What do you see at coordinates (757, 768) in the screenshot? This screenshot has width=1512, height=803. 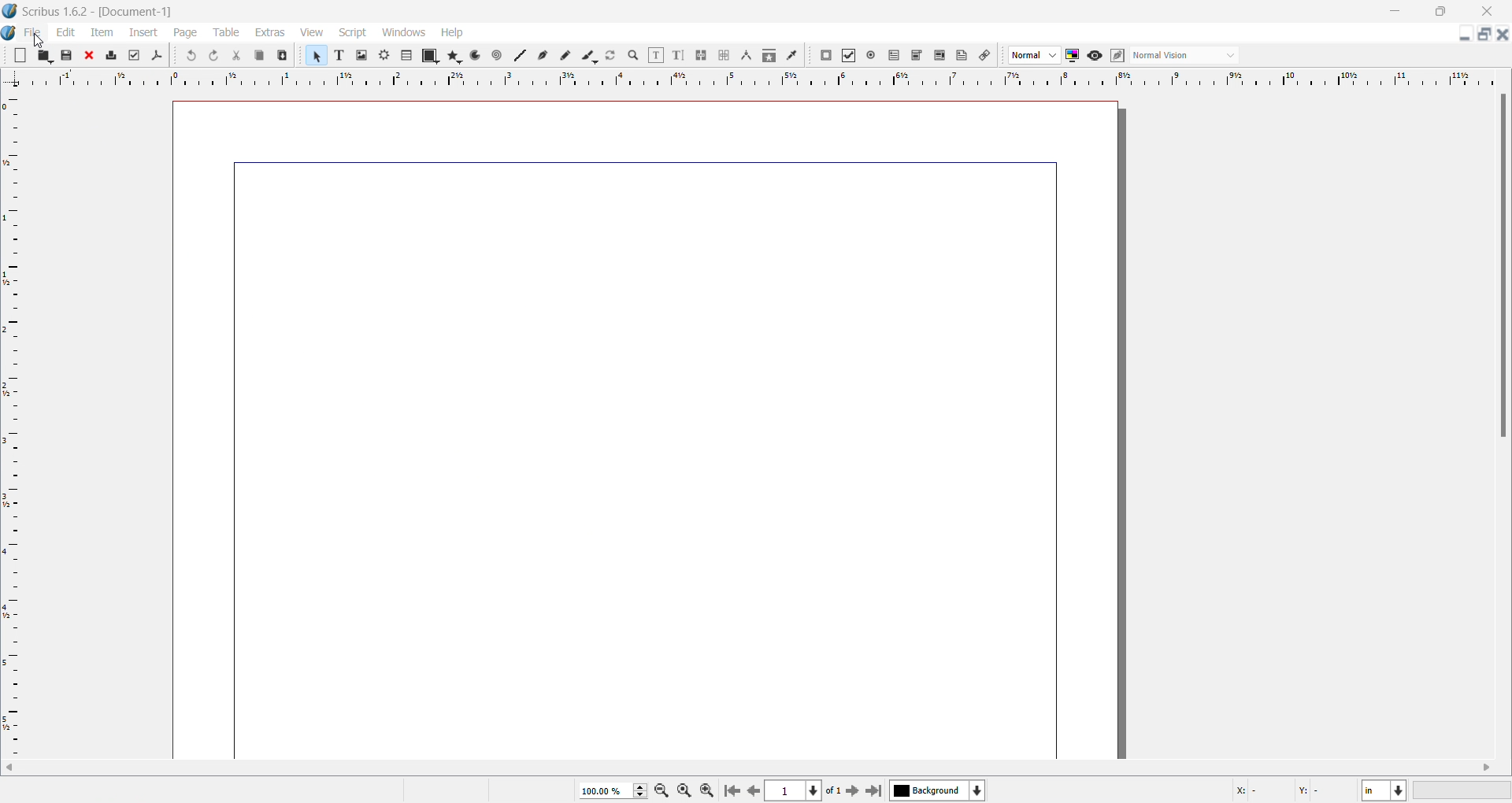 I see `vertical scroll bar` at bounding box center [757, 768].